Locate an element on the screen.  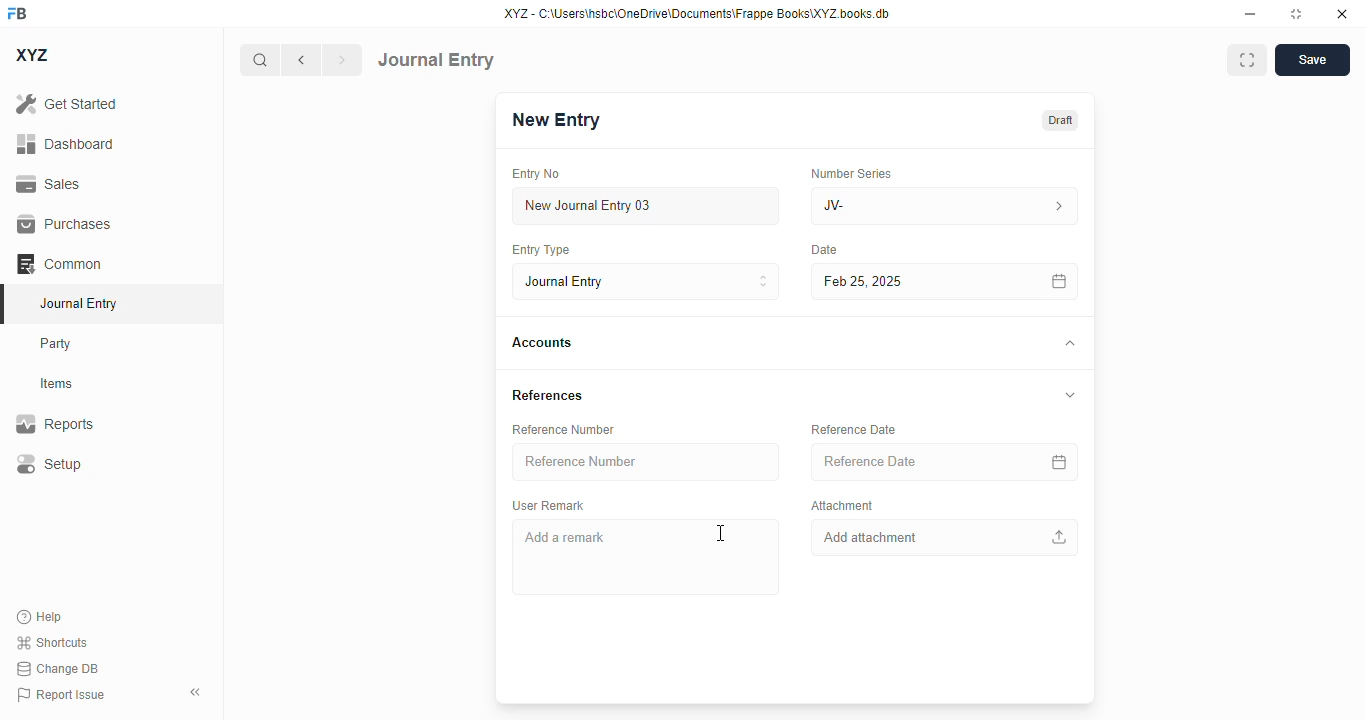
add attachment is located at coordinates (946, 538).